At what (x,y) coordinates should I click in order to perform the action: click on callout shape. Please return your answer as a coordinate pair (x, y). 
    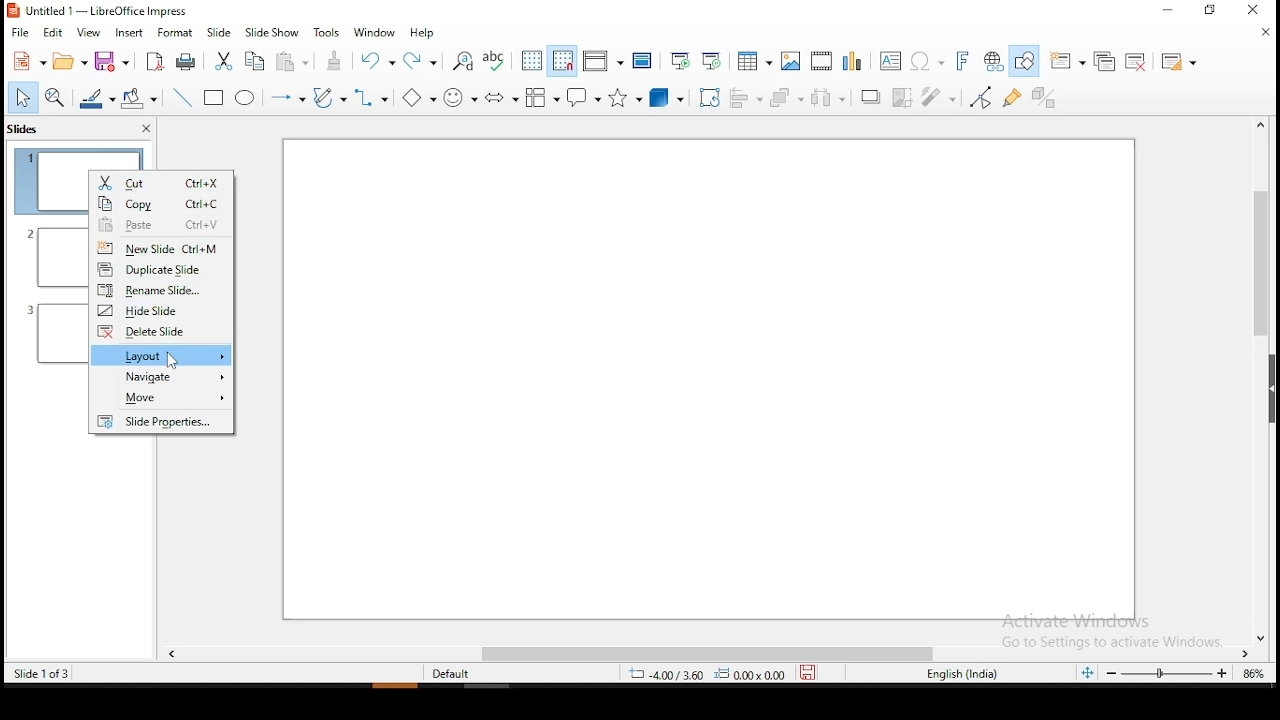
    Looking at the image, I should click on (586, 98).